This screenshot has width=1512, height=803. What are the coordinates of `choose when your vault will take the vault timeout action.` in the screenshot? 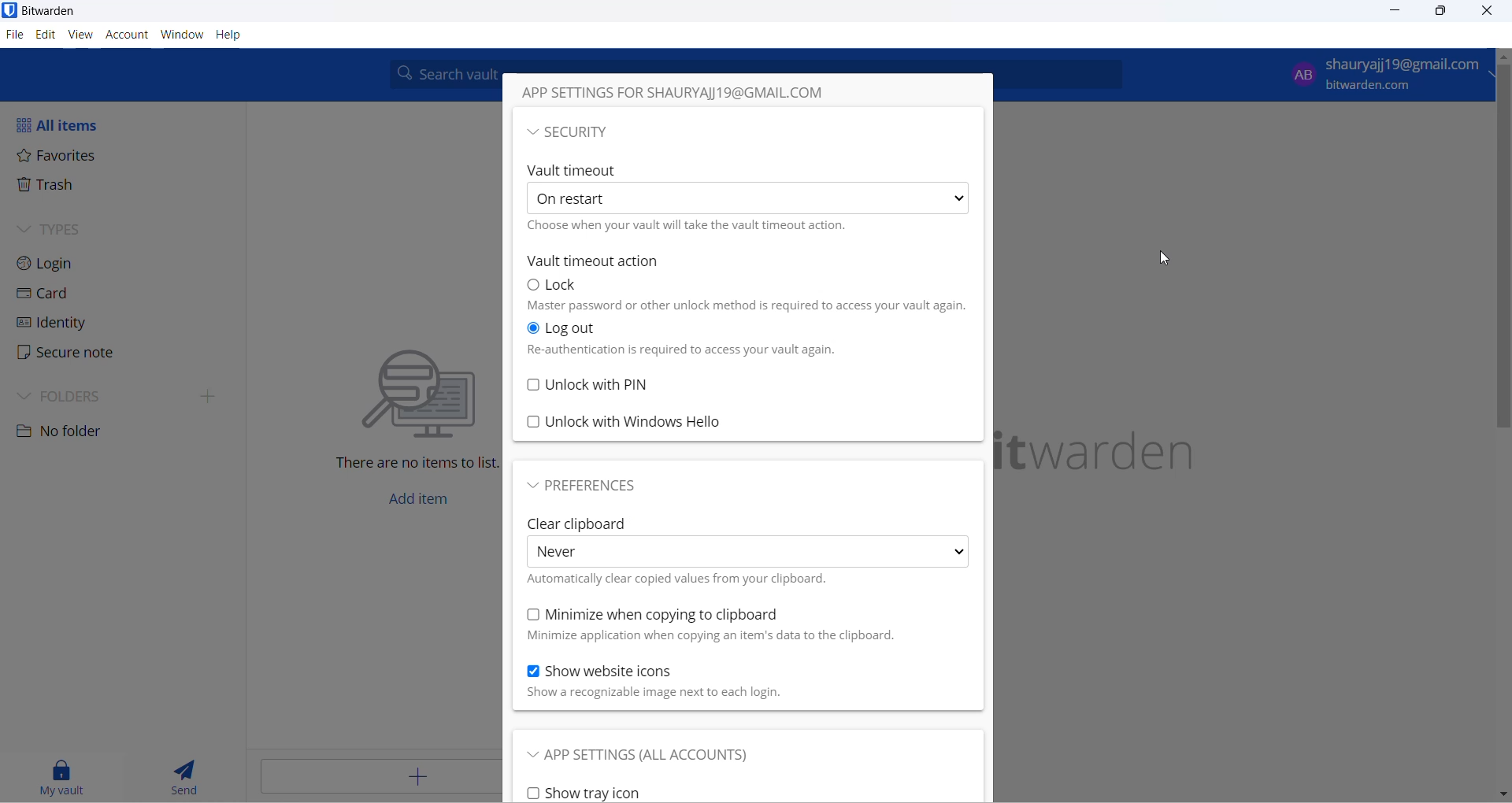 It's located at (747, 227).